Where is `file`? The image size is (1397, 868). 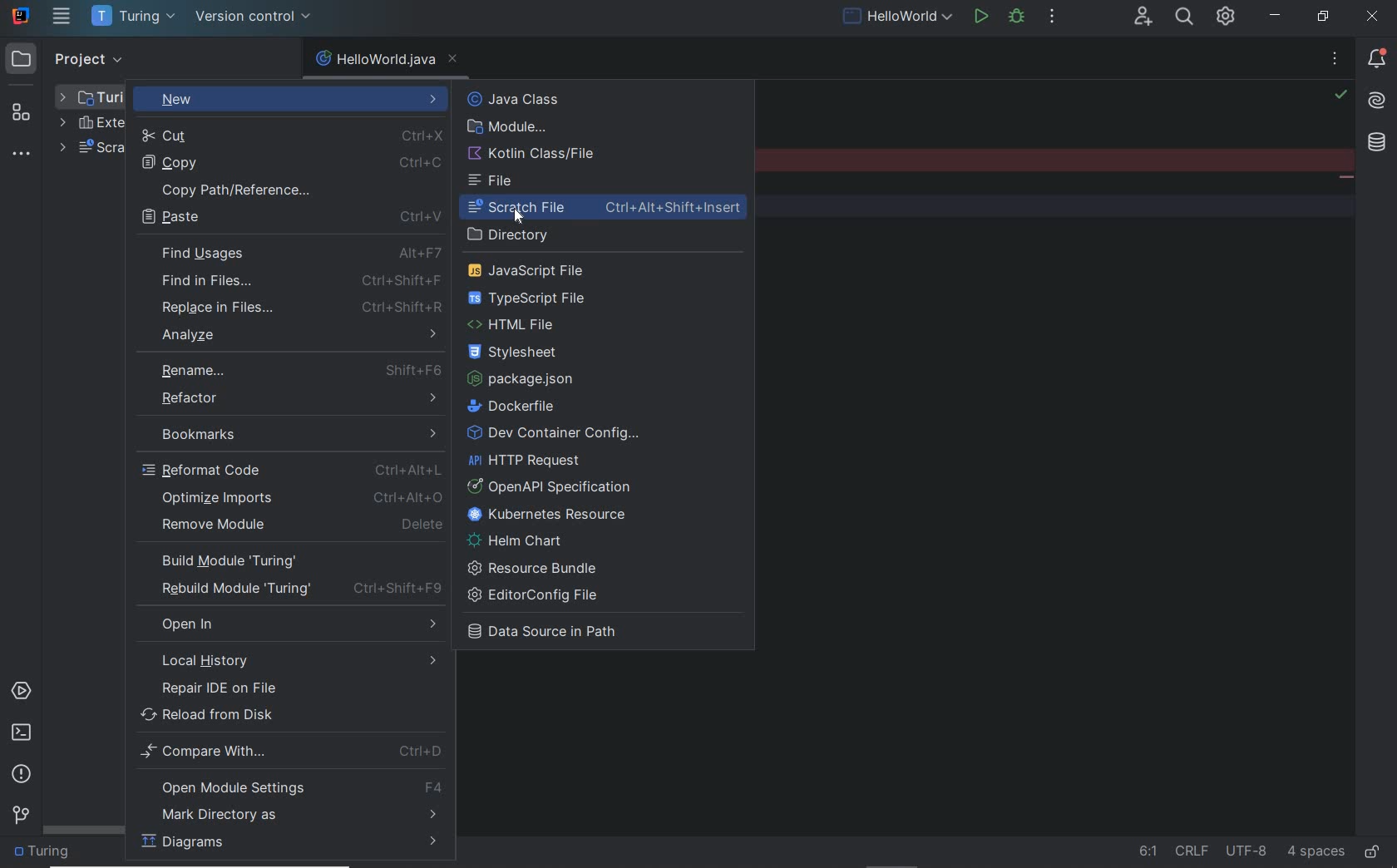 file is located at coordinates (494, 181).